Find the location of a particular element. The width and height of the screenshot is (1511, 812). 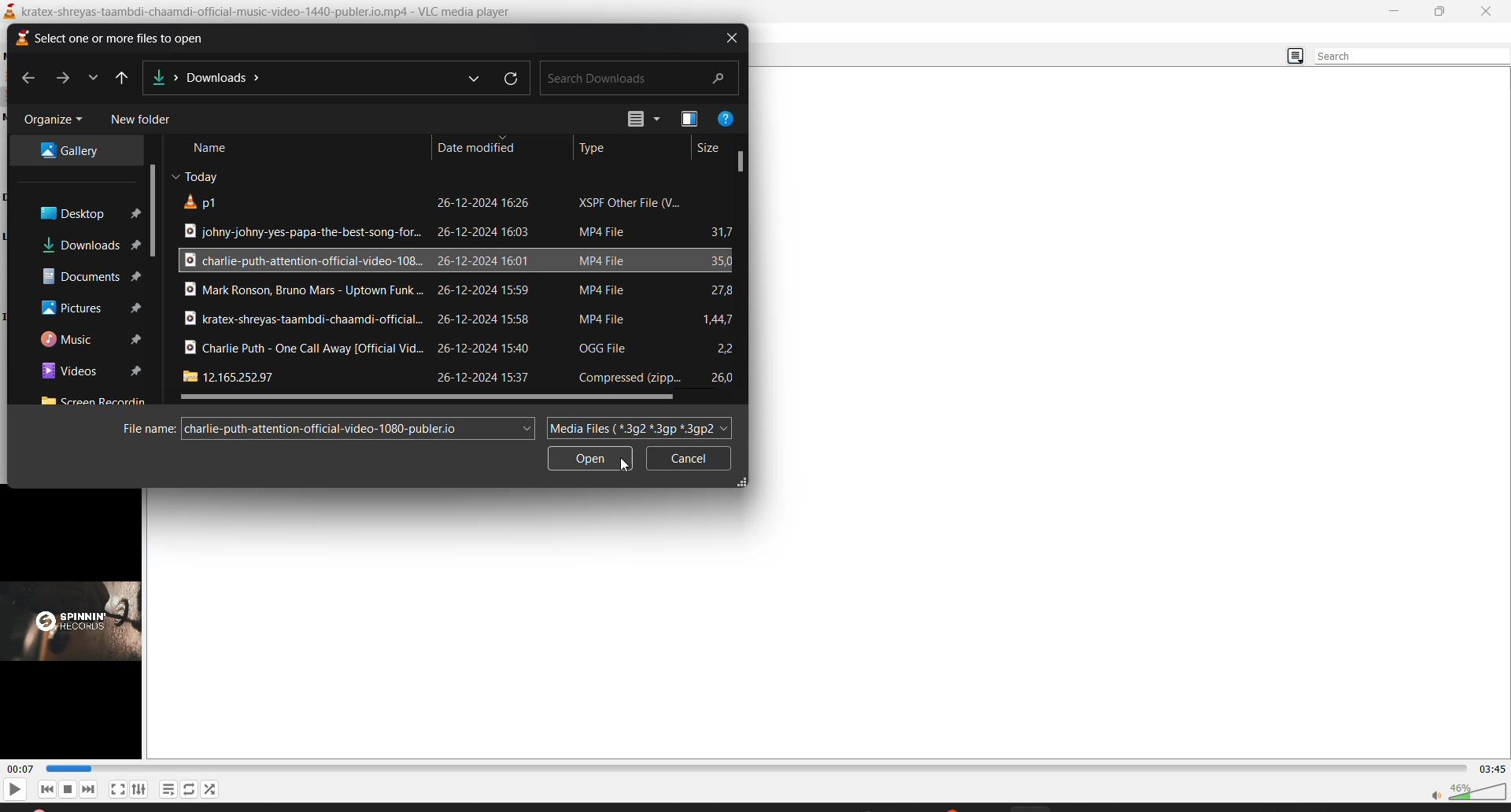

close is located at coordinates (1483, 13).